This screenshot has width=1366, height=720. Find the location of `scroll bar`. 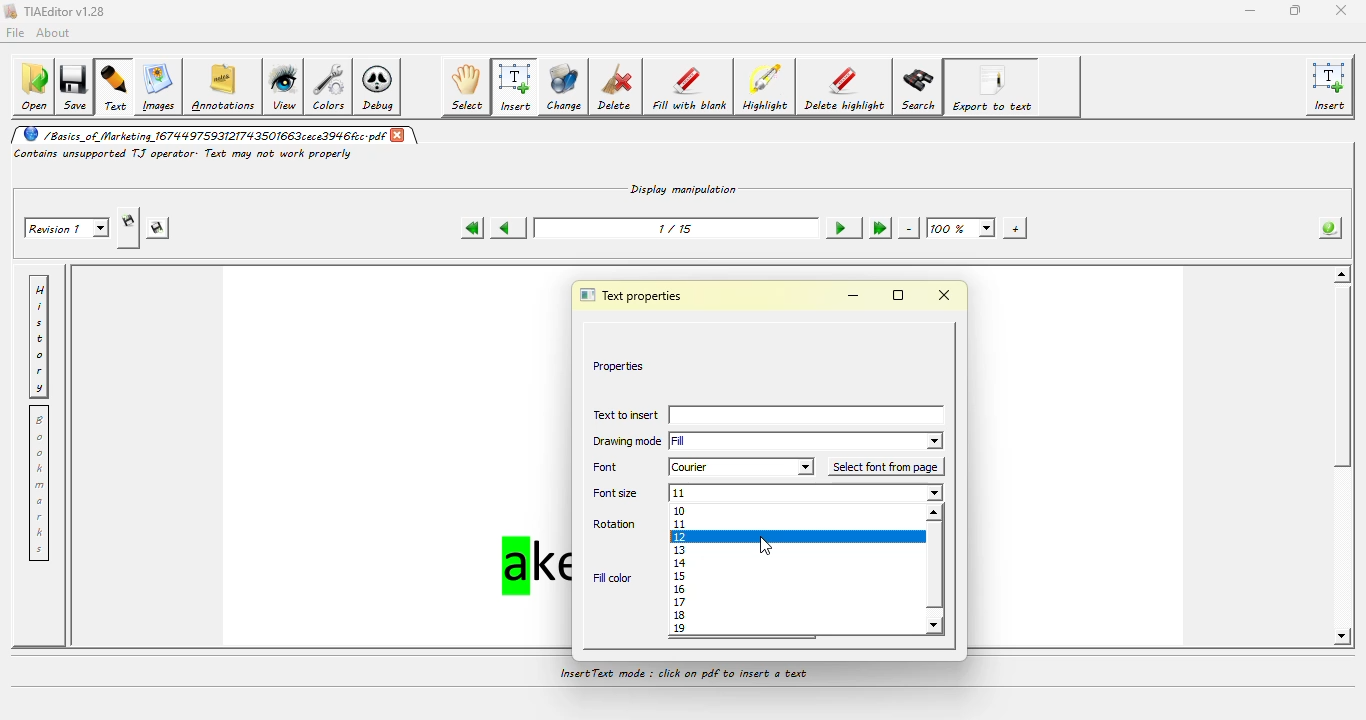

scroll bar is located at coordinates (934, 569).